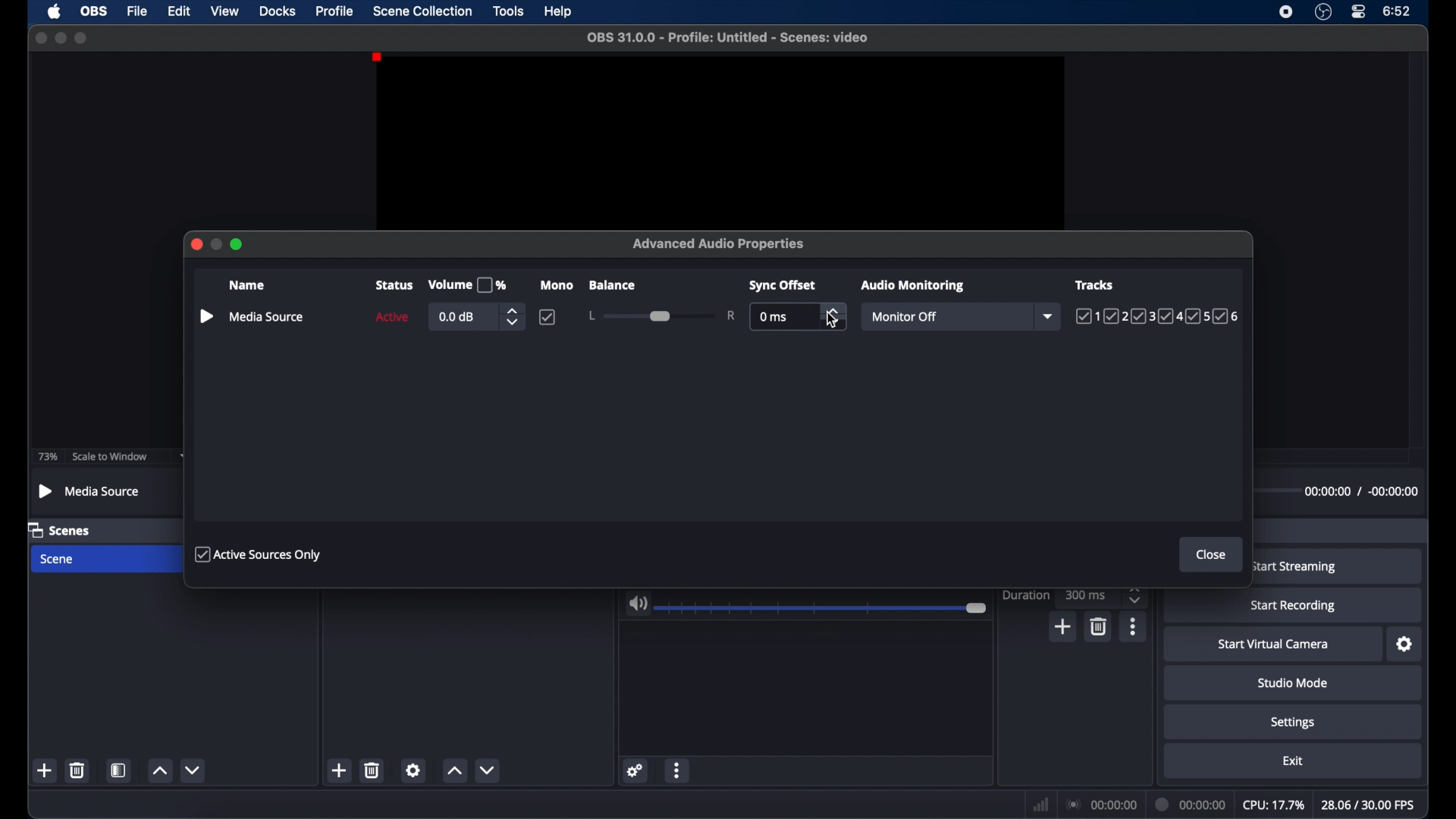 Image resolution: width=1456 pixels, height=819 pixels. What do you see at coordinates (1367, 805) in the screenshot?
I see `fps` at bounding box center [1367, 805].